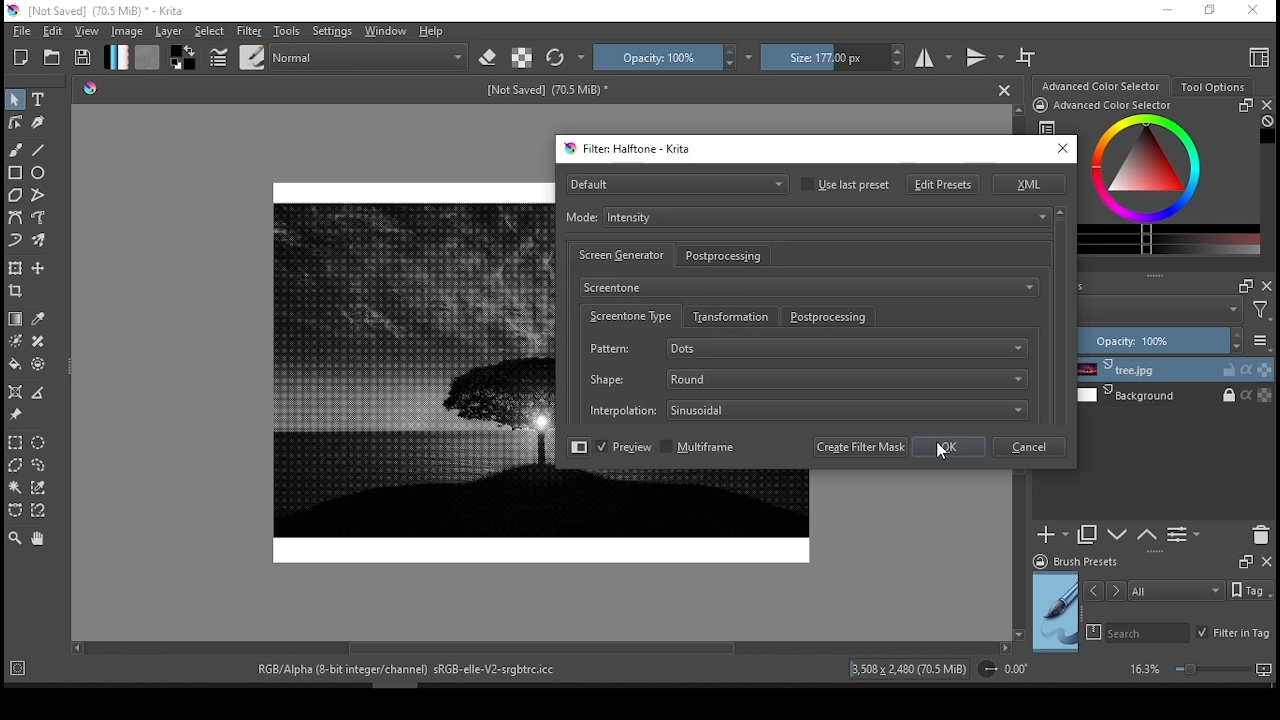  I want to click on save, so click(84, 57).